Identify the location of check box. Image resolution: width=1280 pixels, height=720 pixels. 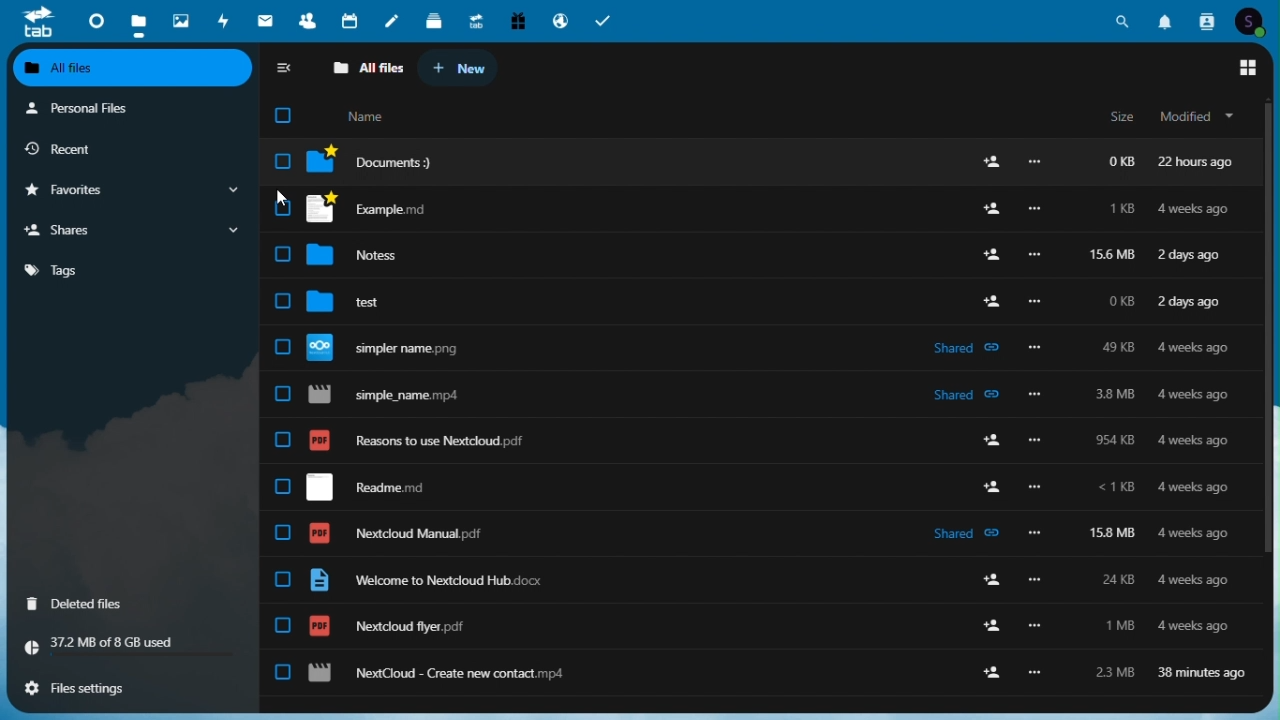
(283, 114).